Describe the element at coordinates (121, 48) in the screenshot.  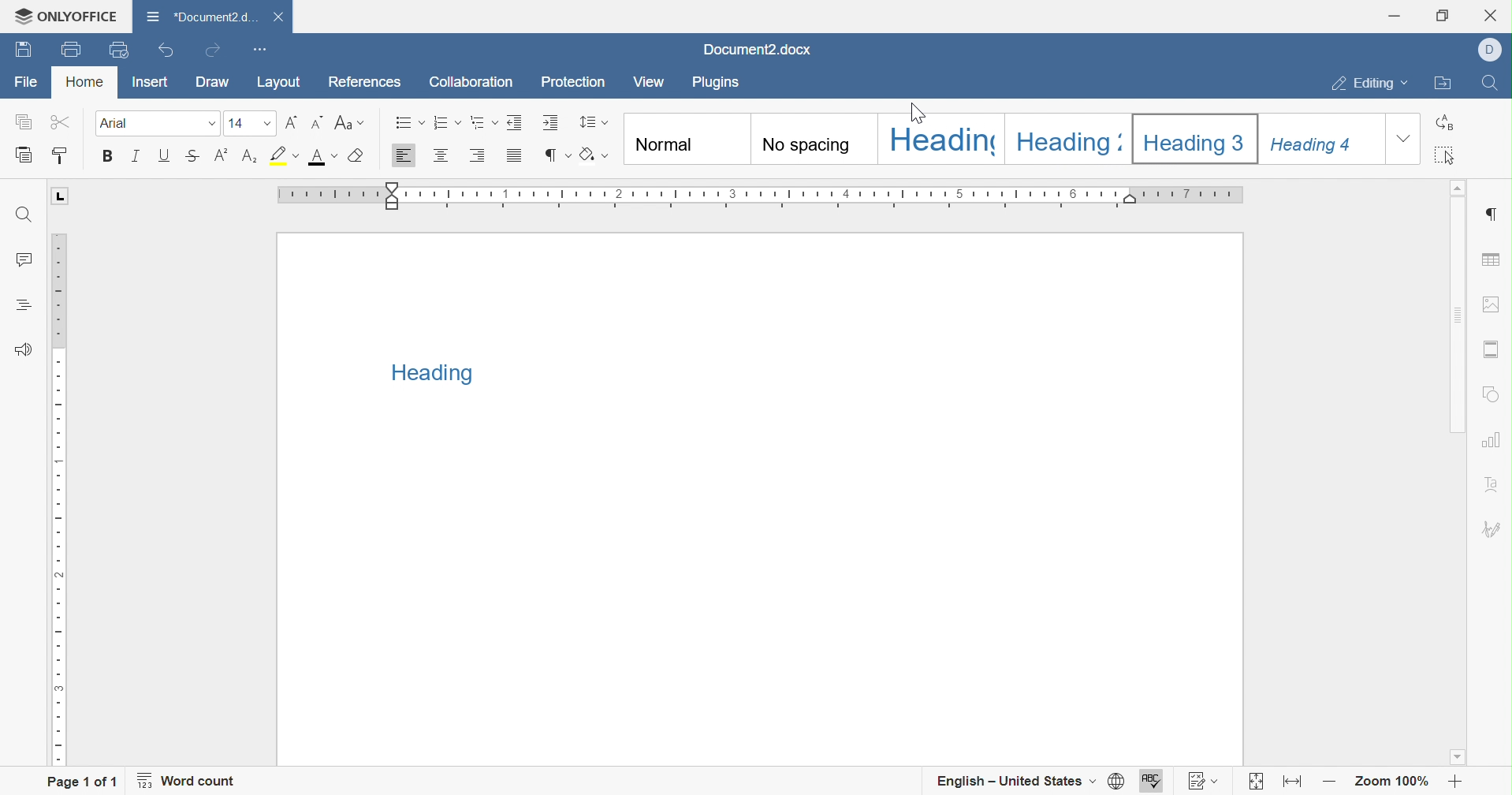
I see `Quick print` at that location.